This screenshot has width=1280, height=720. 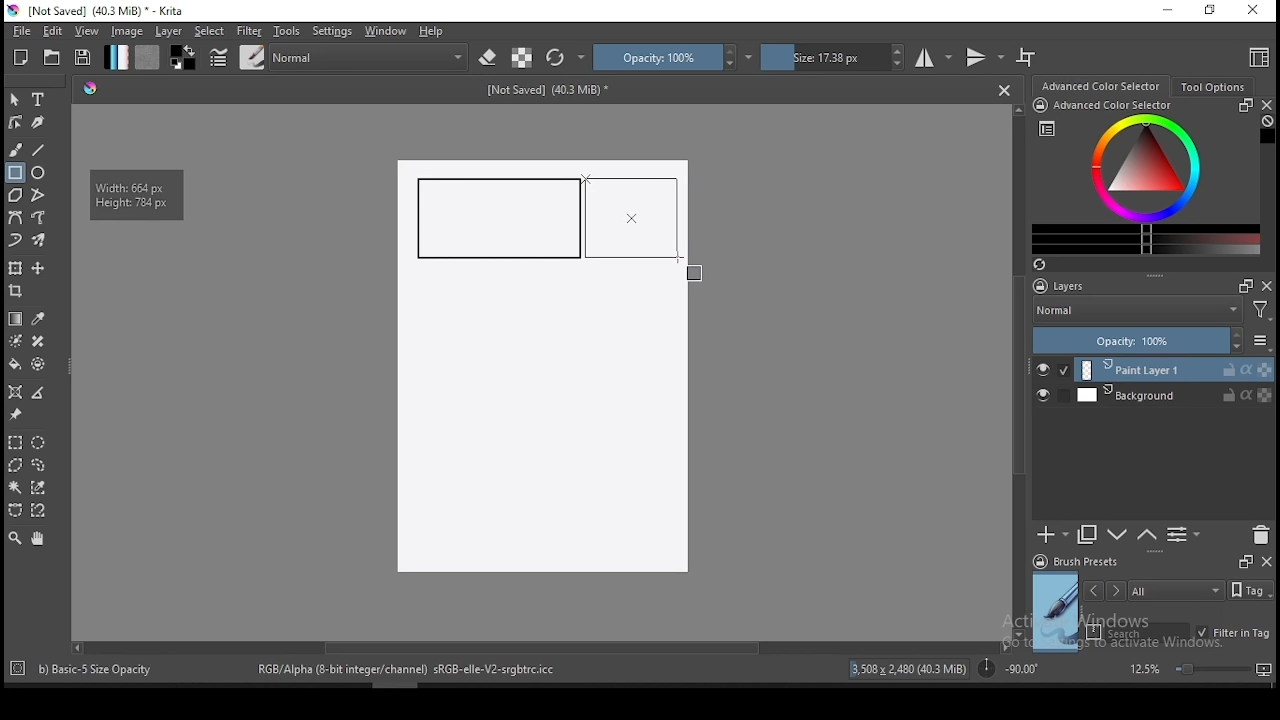 I want to click on select, so click(x=210, y=31).